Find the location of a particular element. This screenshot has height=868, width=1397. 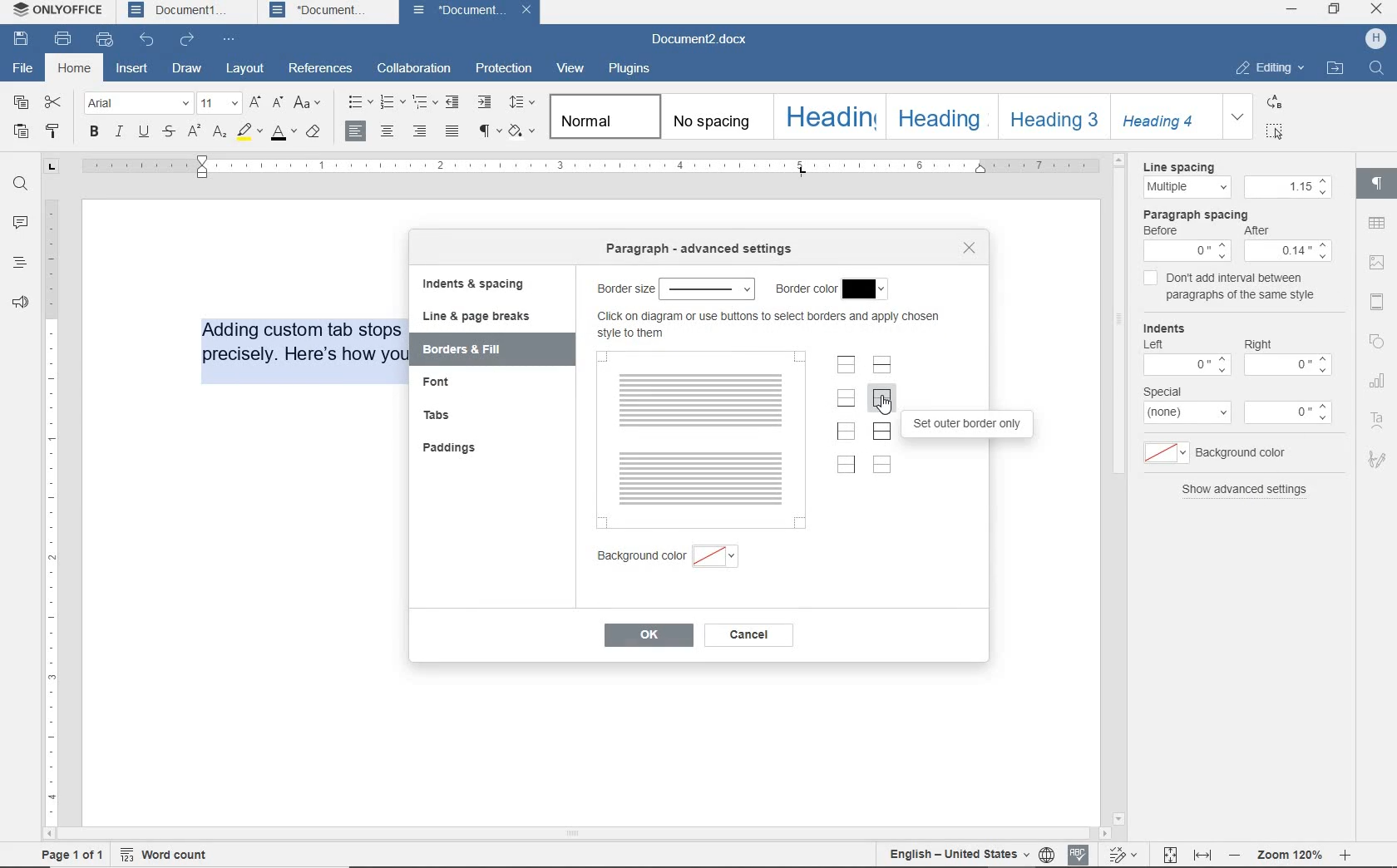

superscript is located at coordinates (196, 131).